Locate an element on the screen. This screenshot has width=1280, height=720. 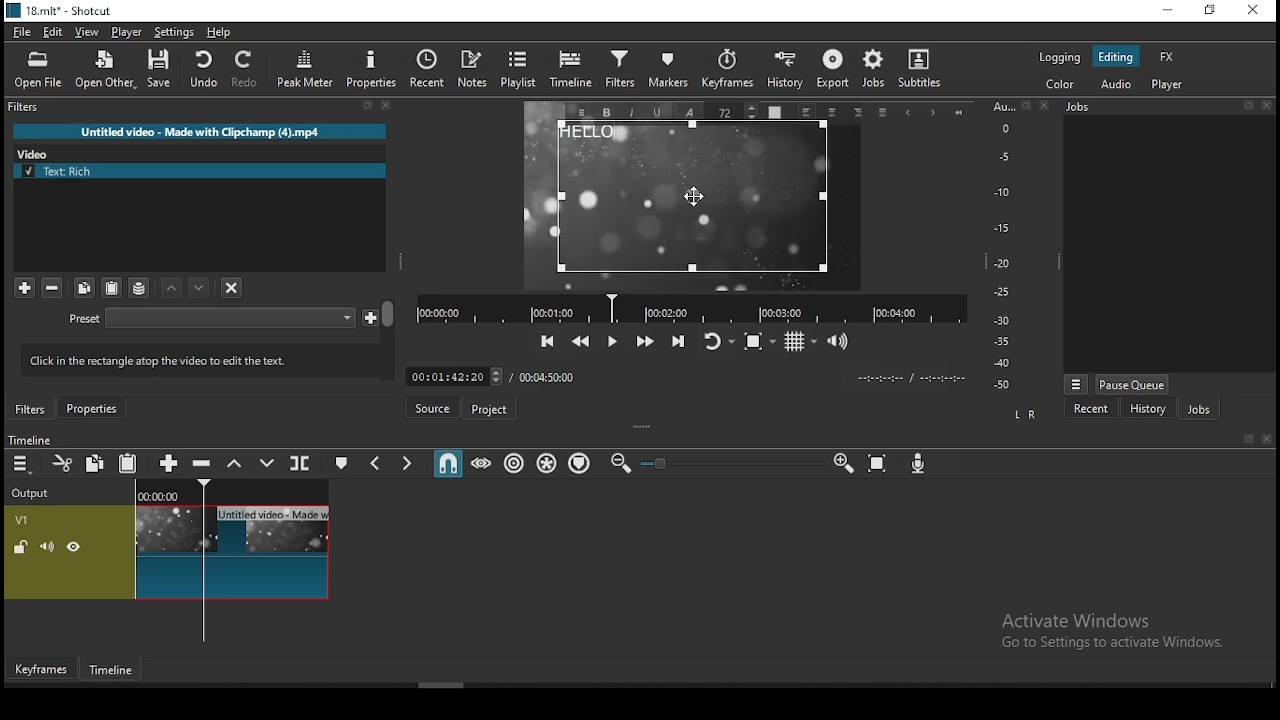
move filter down is located at coordinates (173, 288).